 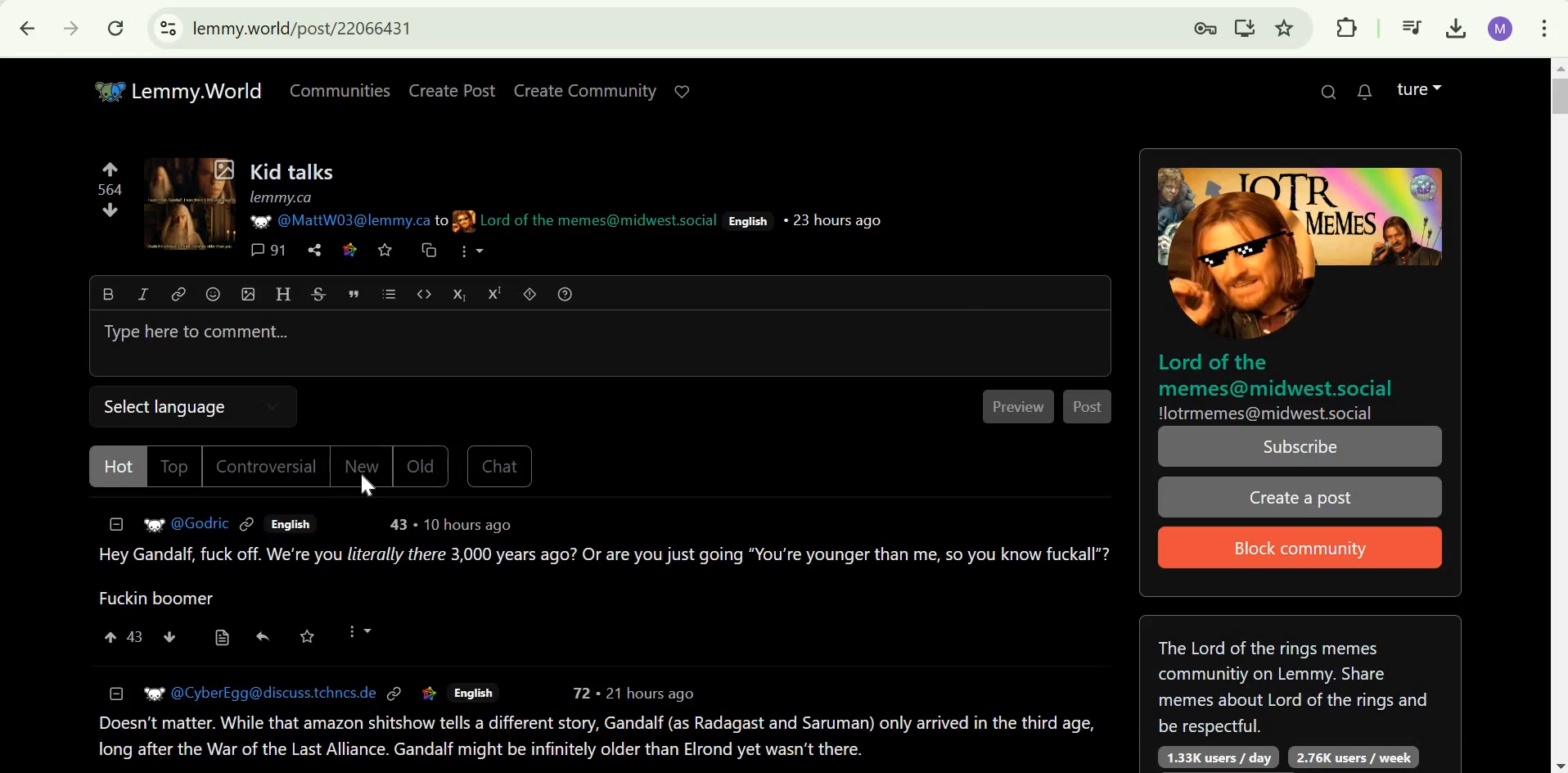 I want to click on link, so click(x=430, y=693).